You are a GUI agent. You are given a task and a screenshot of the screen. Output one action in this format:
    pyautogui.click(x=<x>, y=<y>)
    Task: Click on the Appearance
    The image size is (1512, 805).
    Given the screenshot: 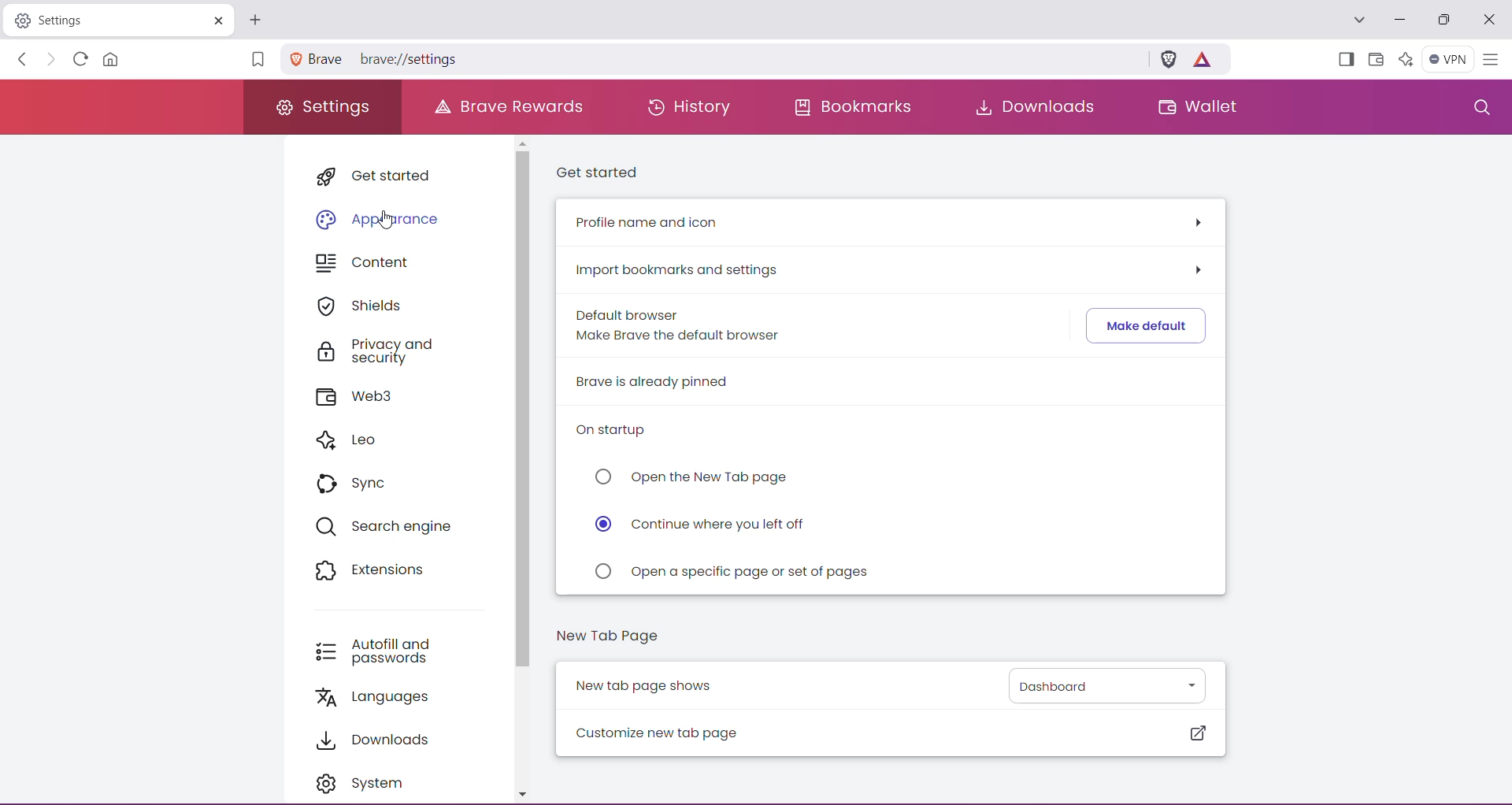 What is the action you would take?
    pyautogui.click(x=375, y=221)
    